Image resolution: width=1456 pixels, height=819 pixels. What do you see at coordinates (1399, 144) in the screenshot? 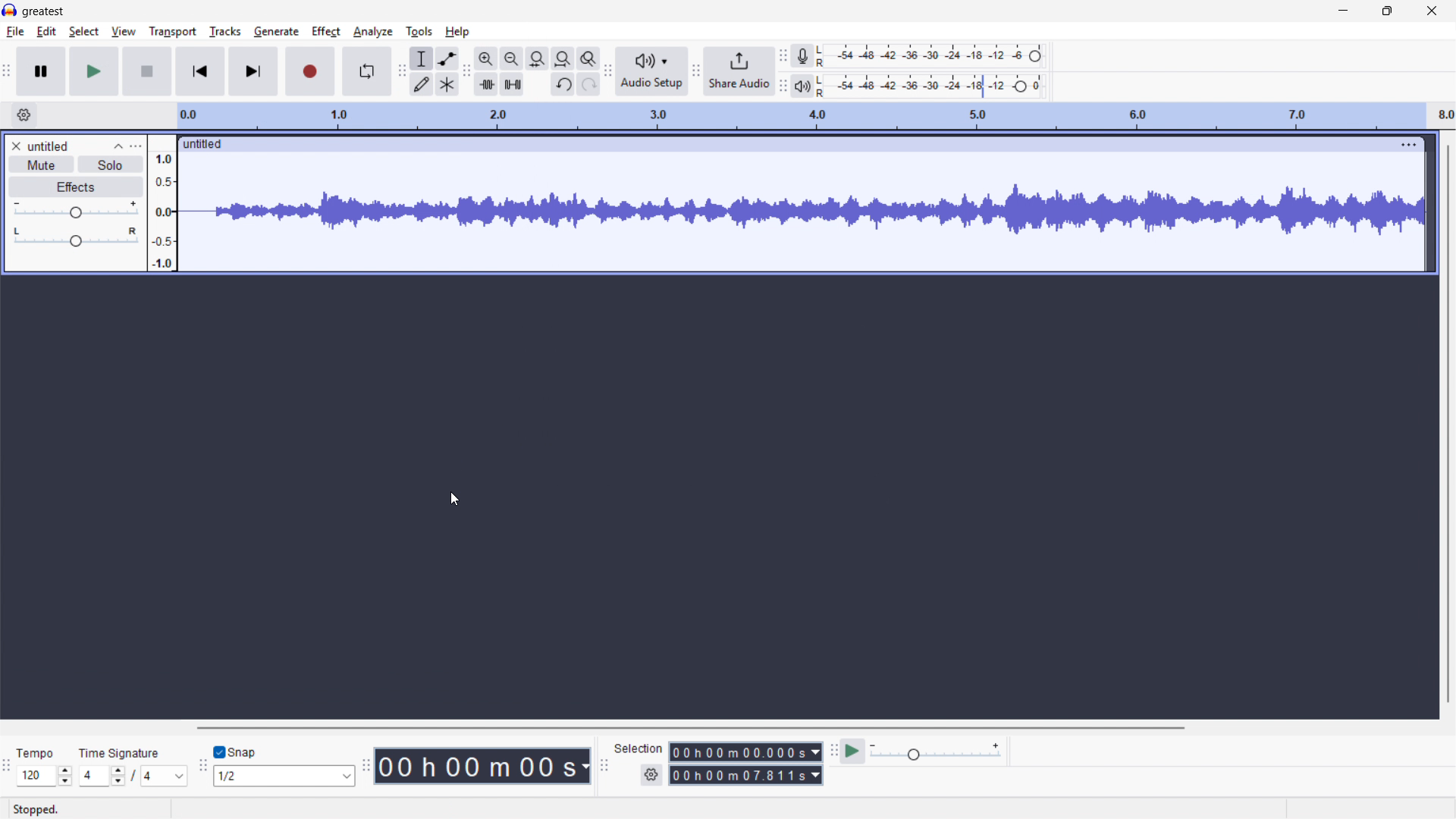
I see `track options` at bounding box center [1399, 144].